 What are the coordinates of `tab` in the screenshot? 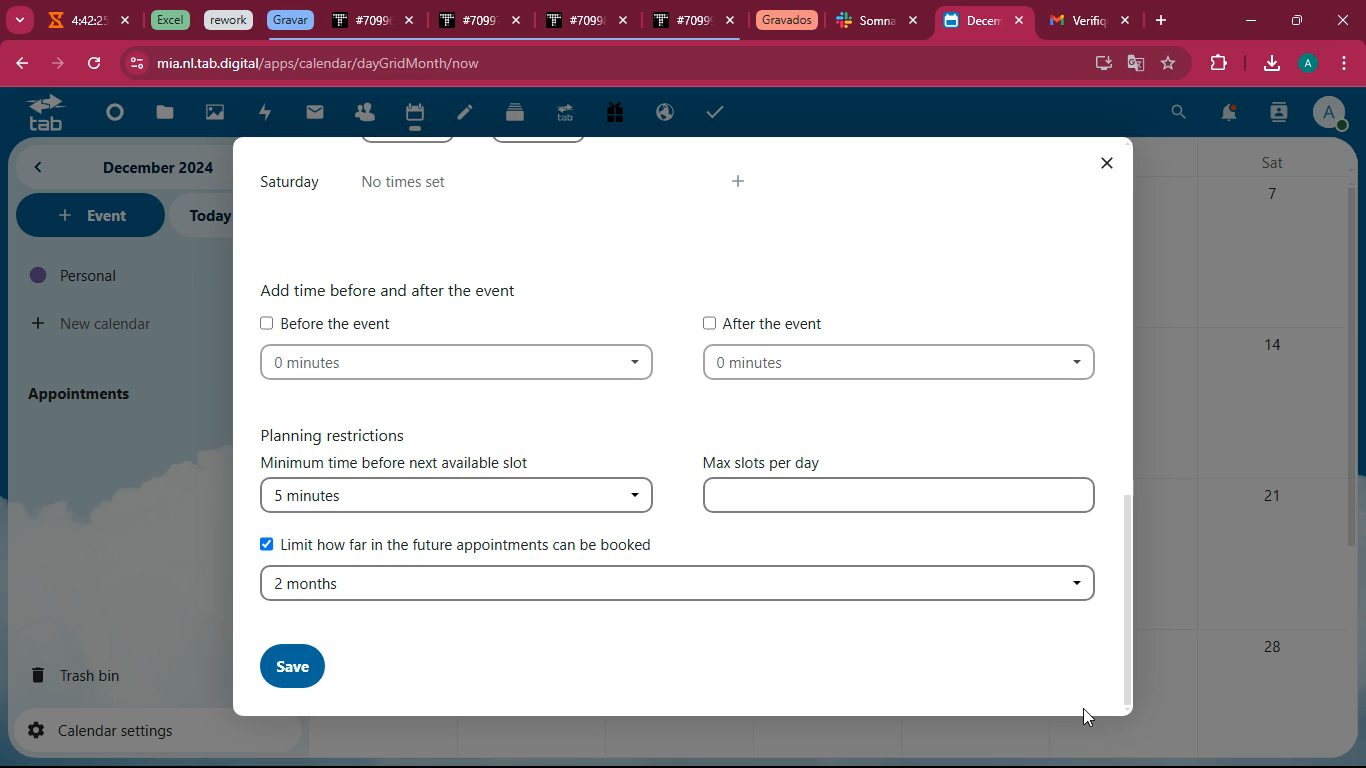 It's located at (290, 20).